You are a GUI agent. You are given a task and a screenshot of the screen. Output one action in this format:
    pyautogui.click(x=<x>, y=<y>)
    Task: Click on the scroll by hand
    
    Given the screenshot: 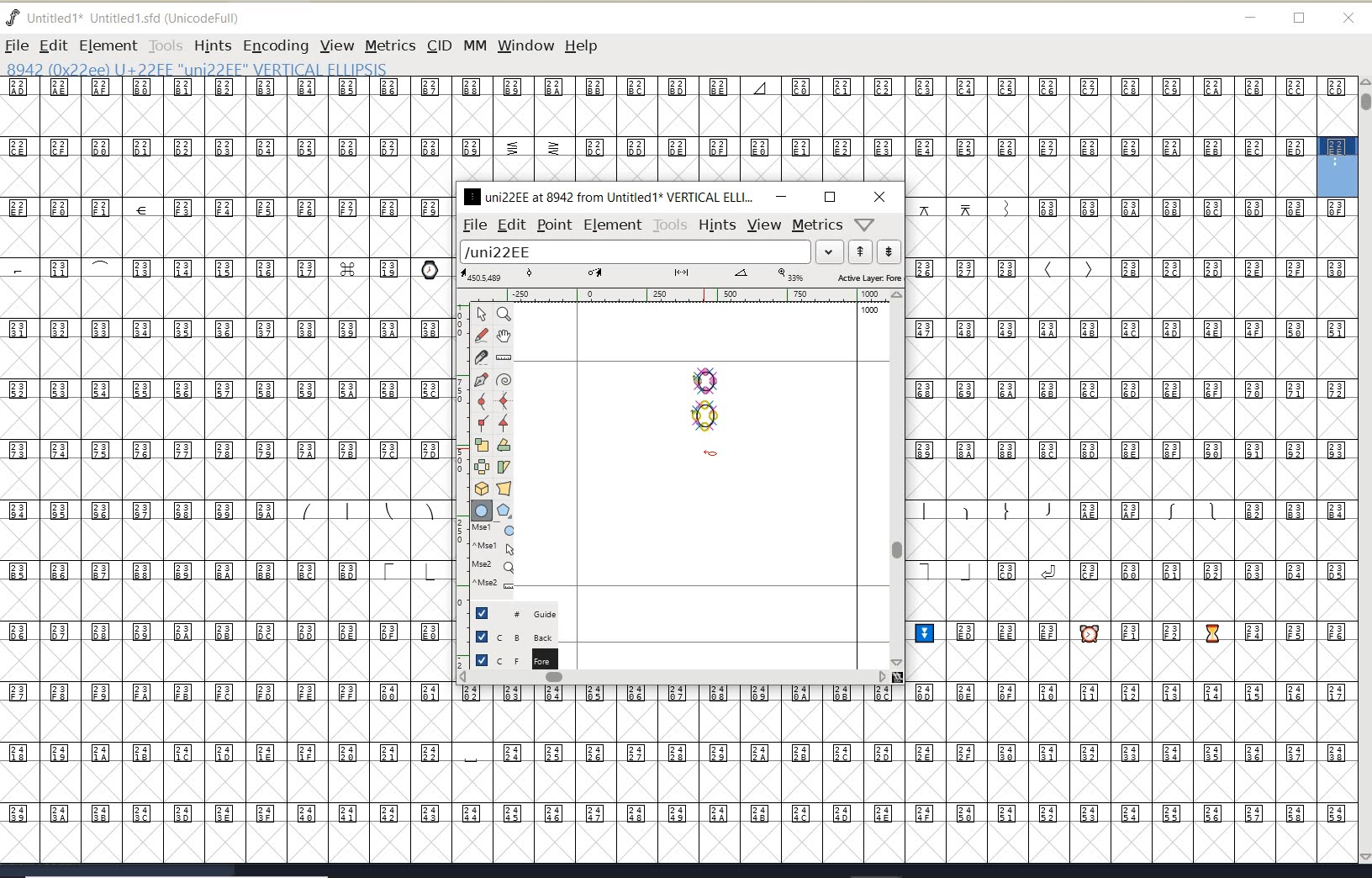 What is the action you would take?
    pyautogui.click(x=504, y=337)
    